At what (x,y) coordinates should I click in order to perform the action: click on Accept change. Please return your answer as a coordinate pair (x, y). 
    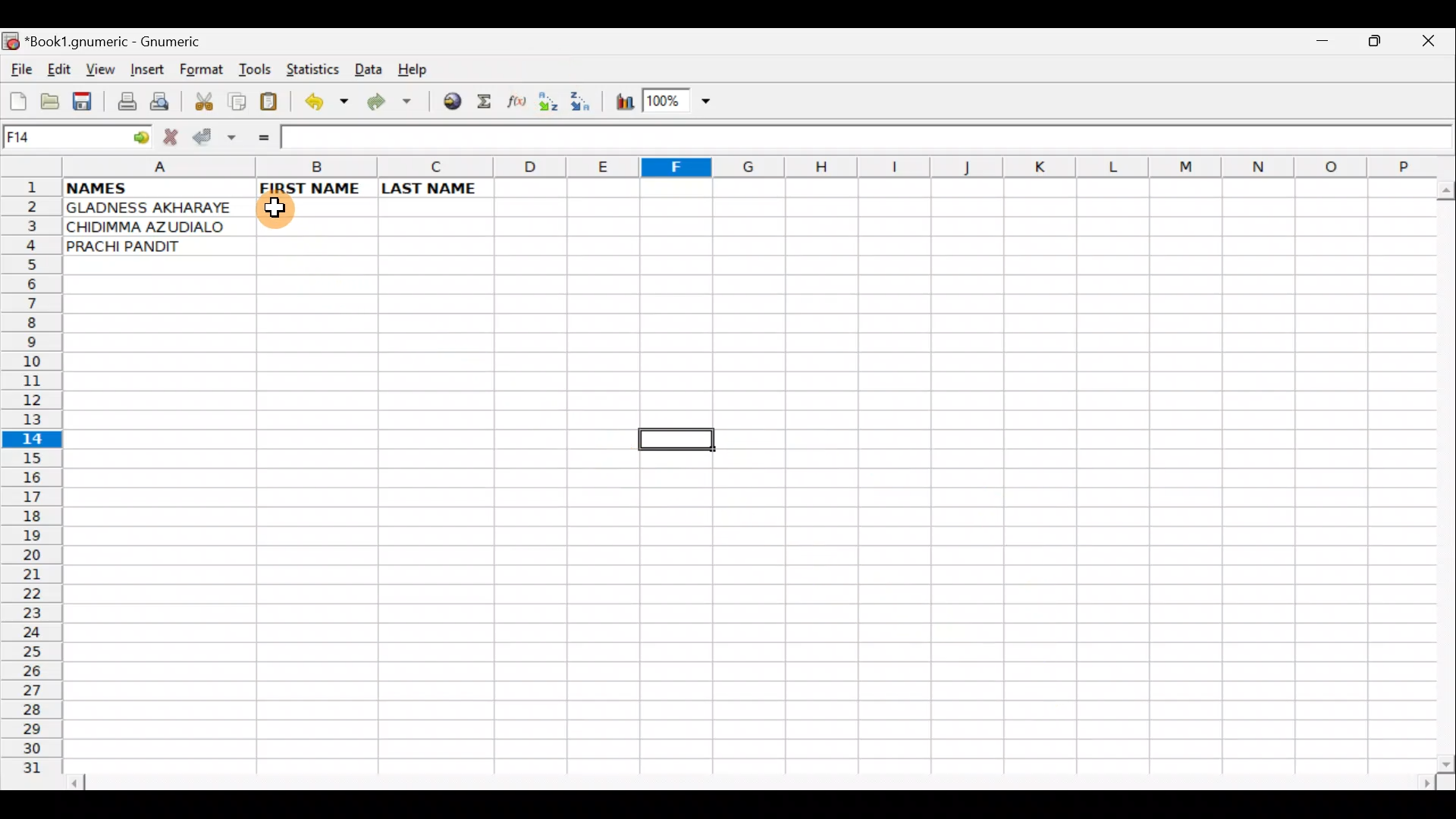
    Looking at the image, I should click on (215, 134).